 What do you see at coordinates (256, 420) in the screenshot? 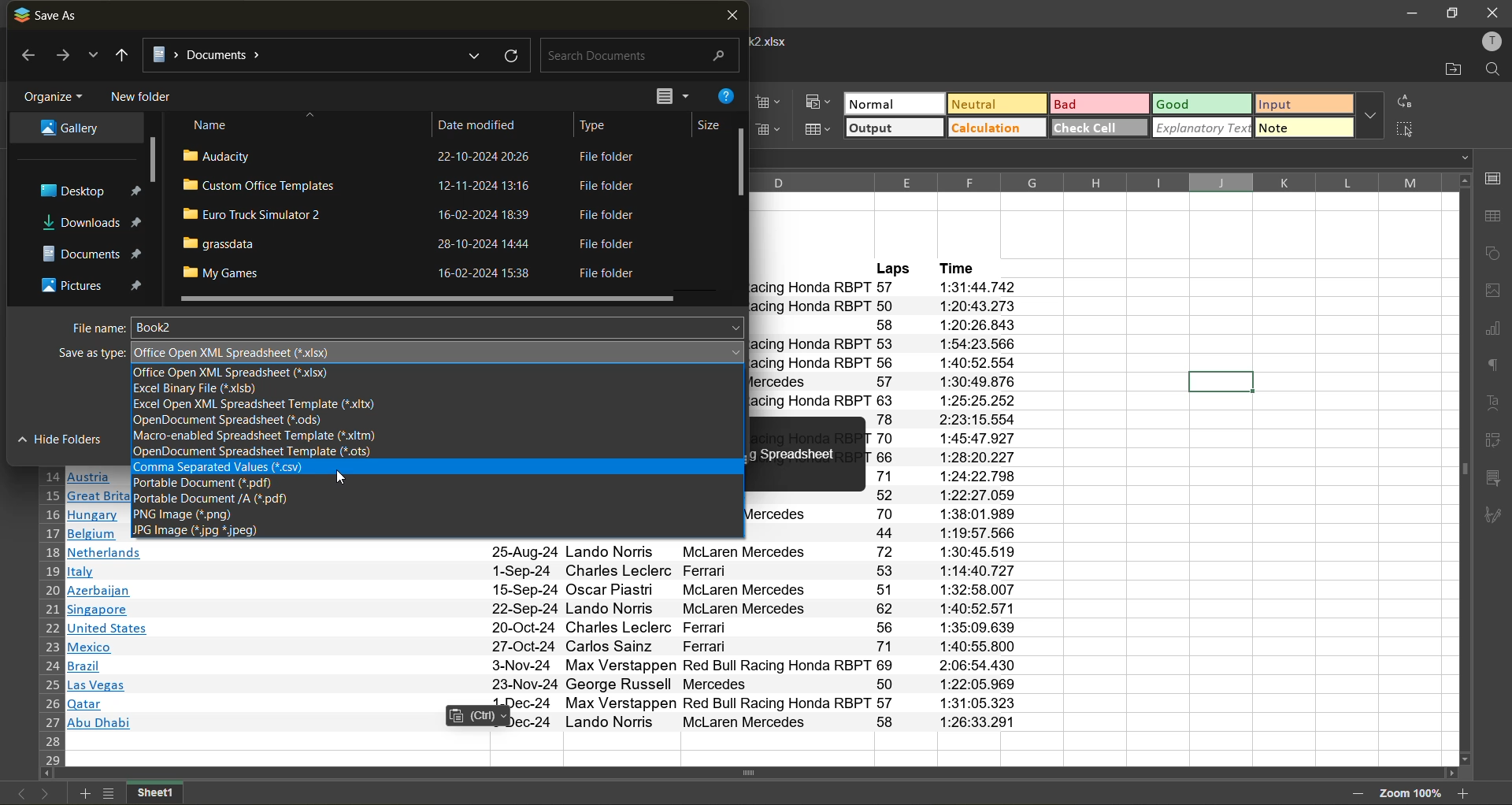
I see `ods` at bounding box center [256, 420].